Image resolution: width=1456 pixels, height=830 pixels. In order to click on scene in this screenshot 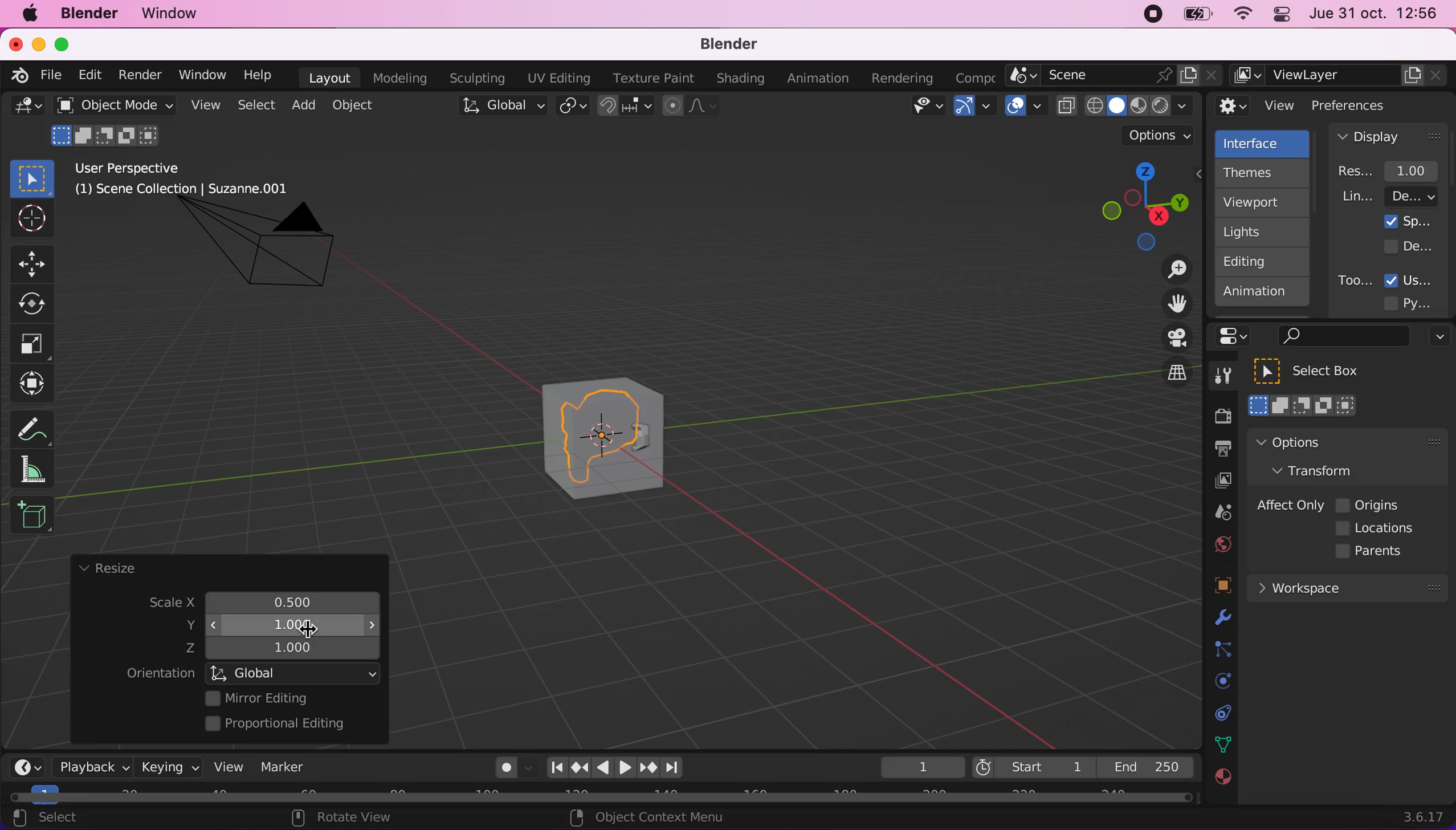, I will do `click(1114, 76)`.